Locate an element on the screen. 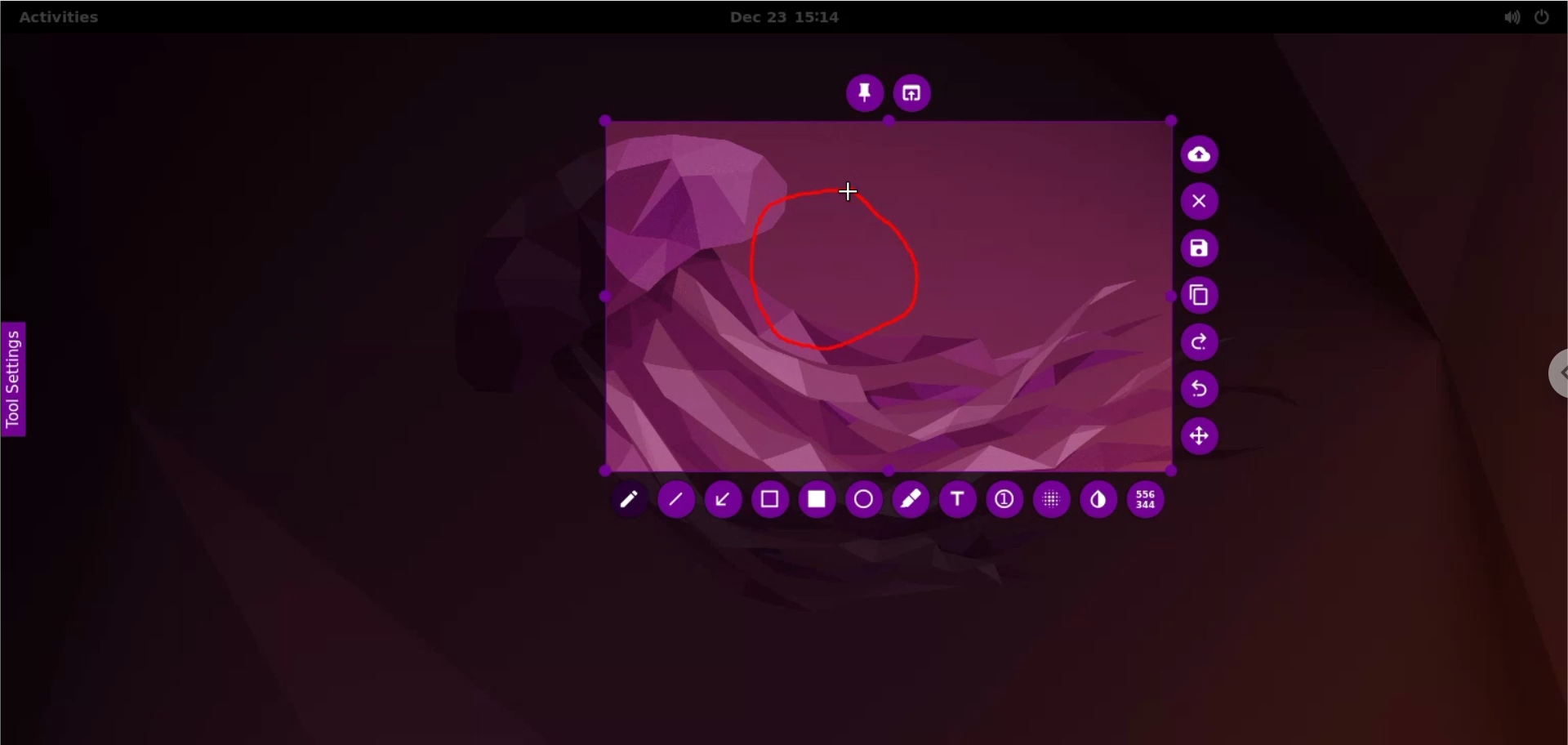 Image resolution: width=1568 pixels, height=745 pixels. rectangle is located at coordinates (822, 500).